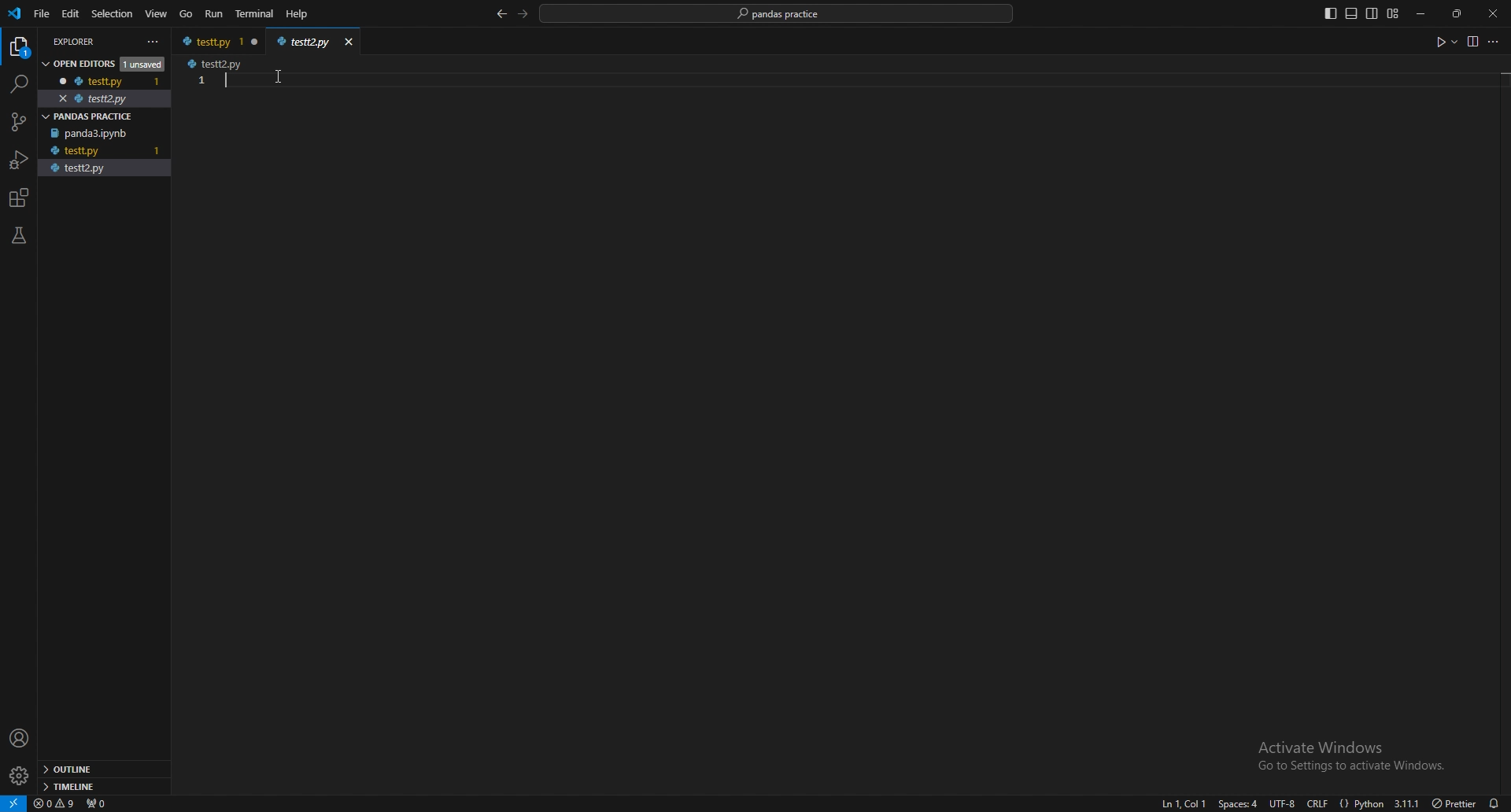  I want to click on run and debug, so click(20, 160).